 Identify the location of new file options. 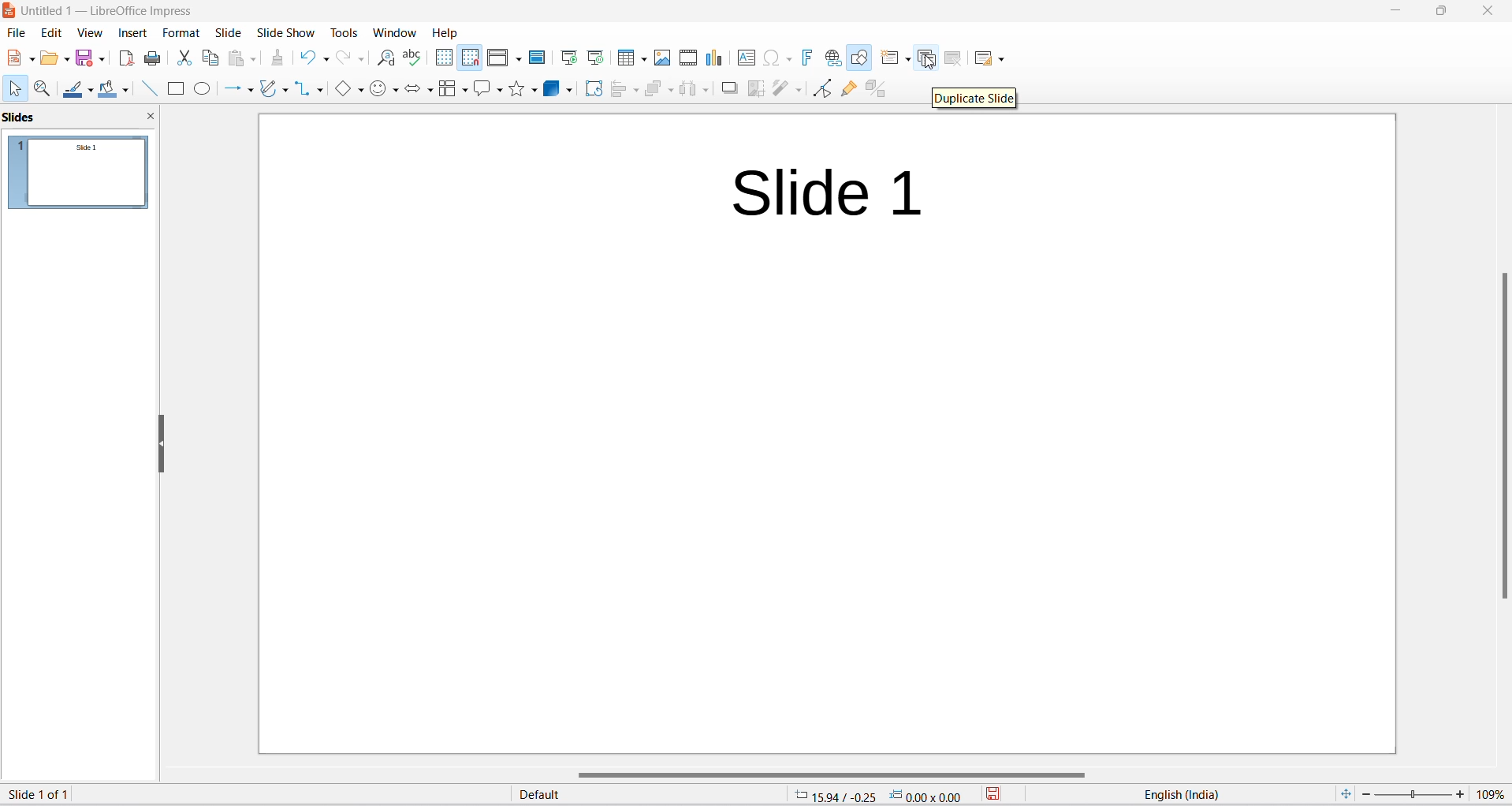
(17, 57).